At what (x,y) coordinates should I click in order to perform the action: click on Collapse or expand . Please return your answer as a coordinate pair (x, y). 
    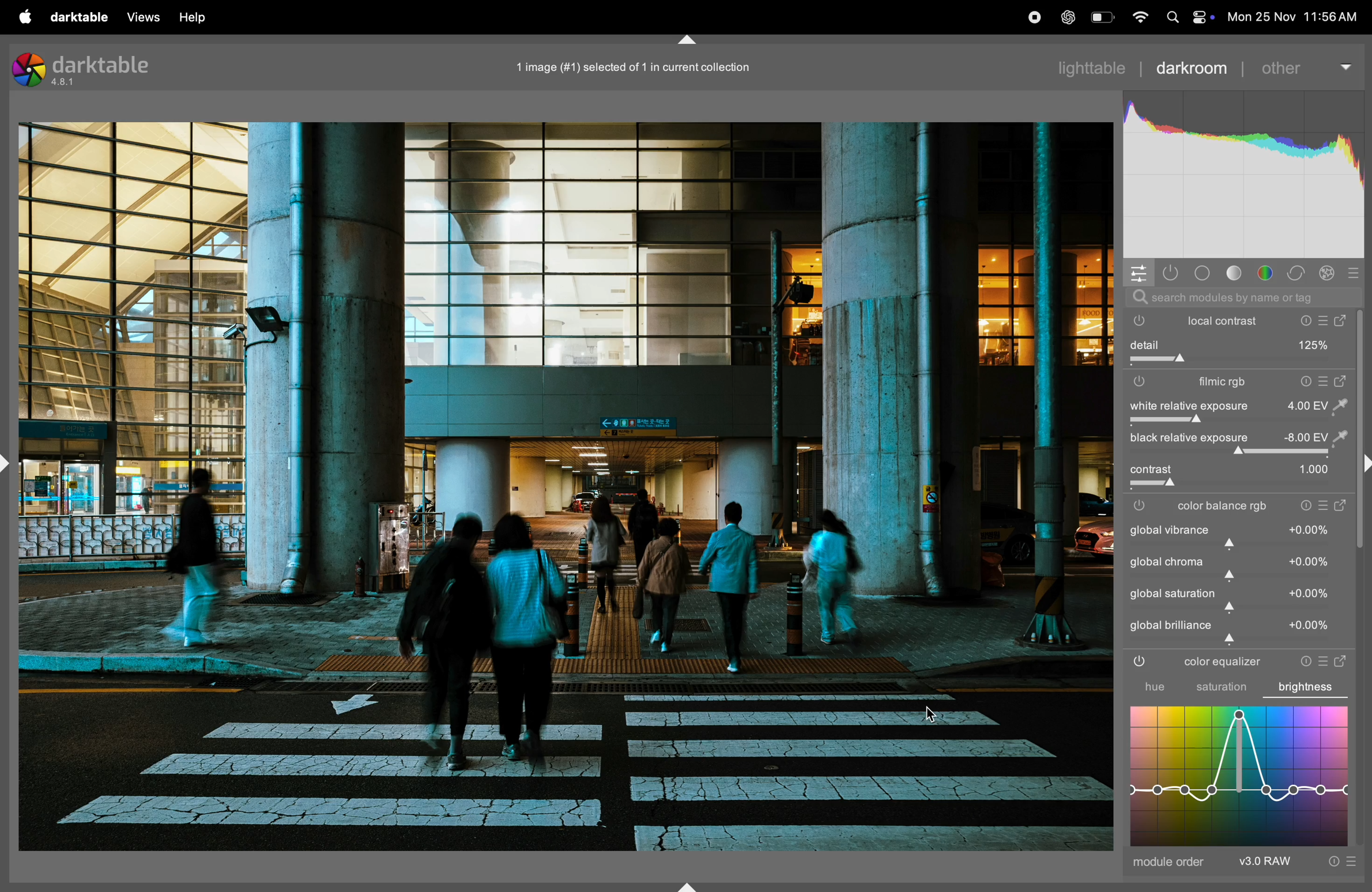
    Looking at the image, I should click on (689, 36).